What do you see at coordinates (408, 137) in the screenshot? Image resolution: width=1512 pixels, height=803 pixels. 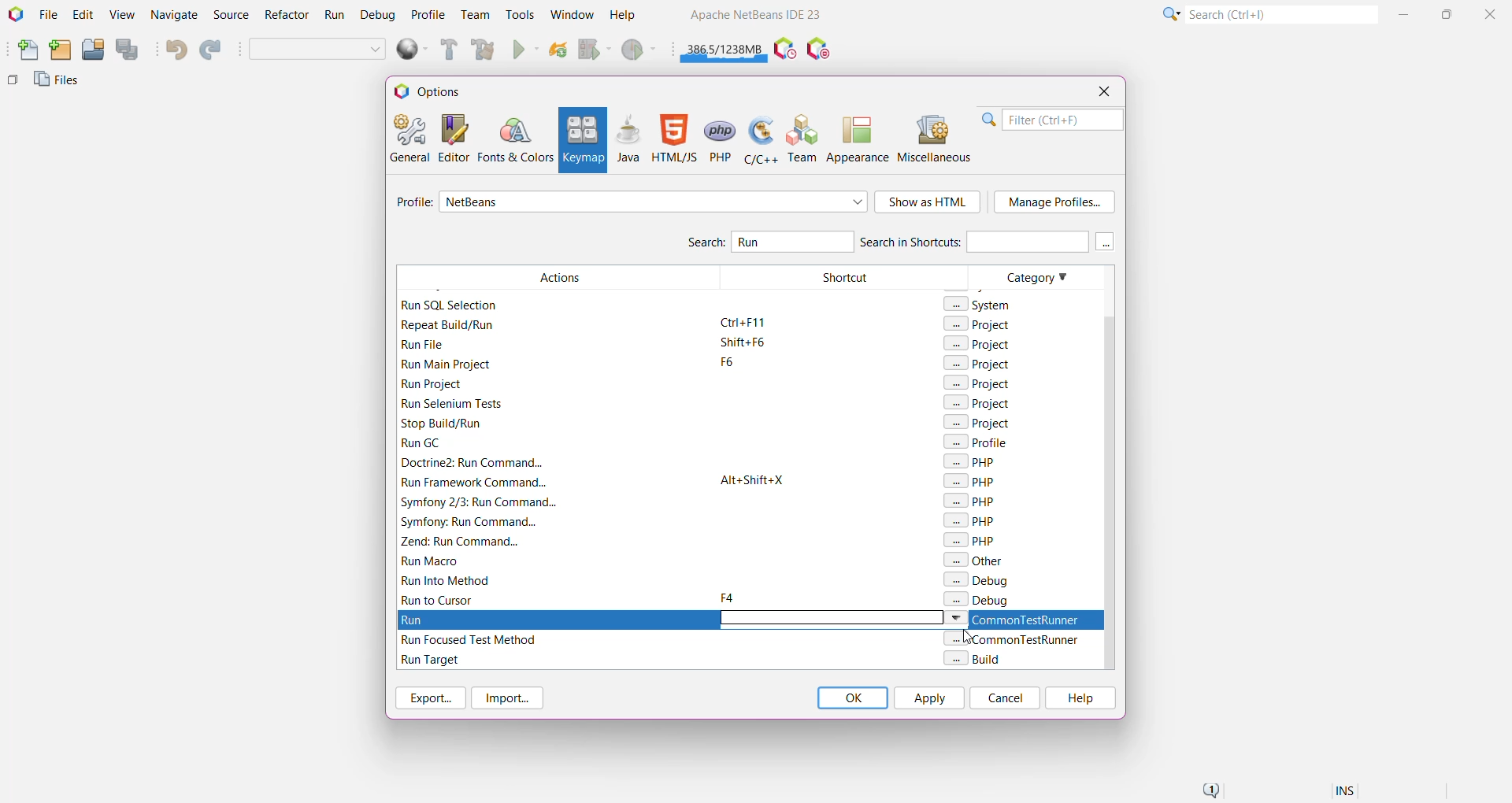 I see `General` at bounding box center [408, 137].